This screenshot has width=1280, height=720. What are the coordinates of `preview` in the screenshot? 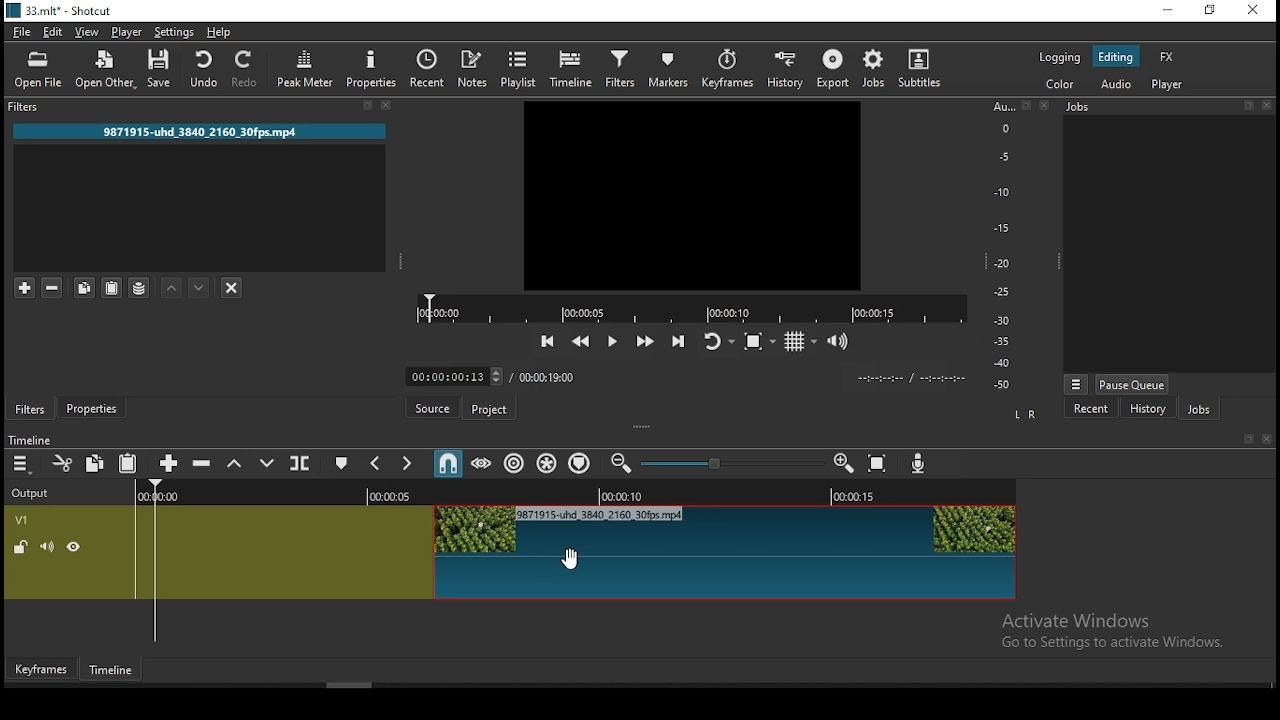 It's located at (691, 194).